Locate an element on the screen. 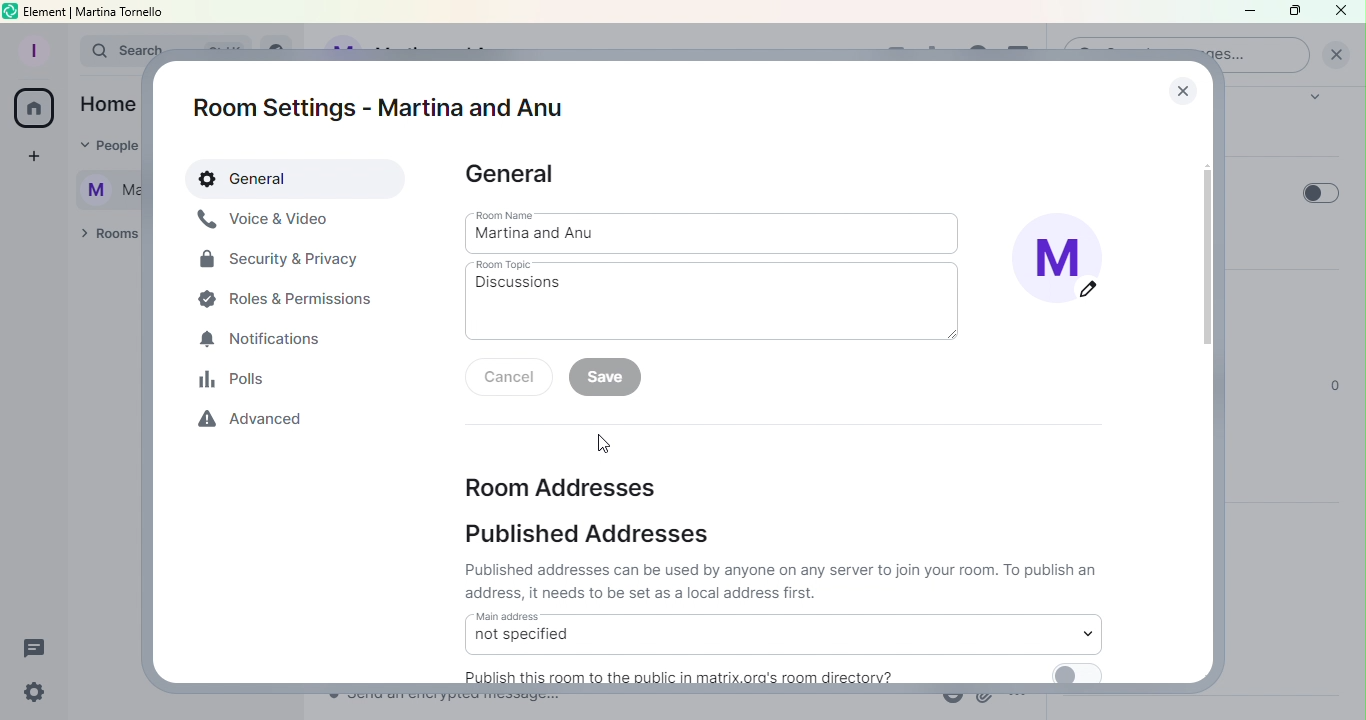 The height and width of the screenshot is (720, 1366). Main address is located at coordinates (782, 633).